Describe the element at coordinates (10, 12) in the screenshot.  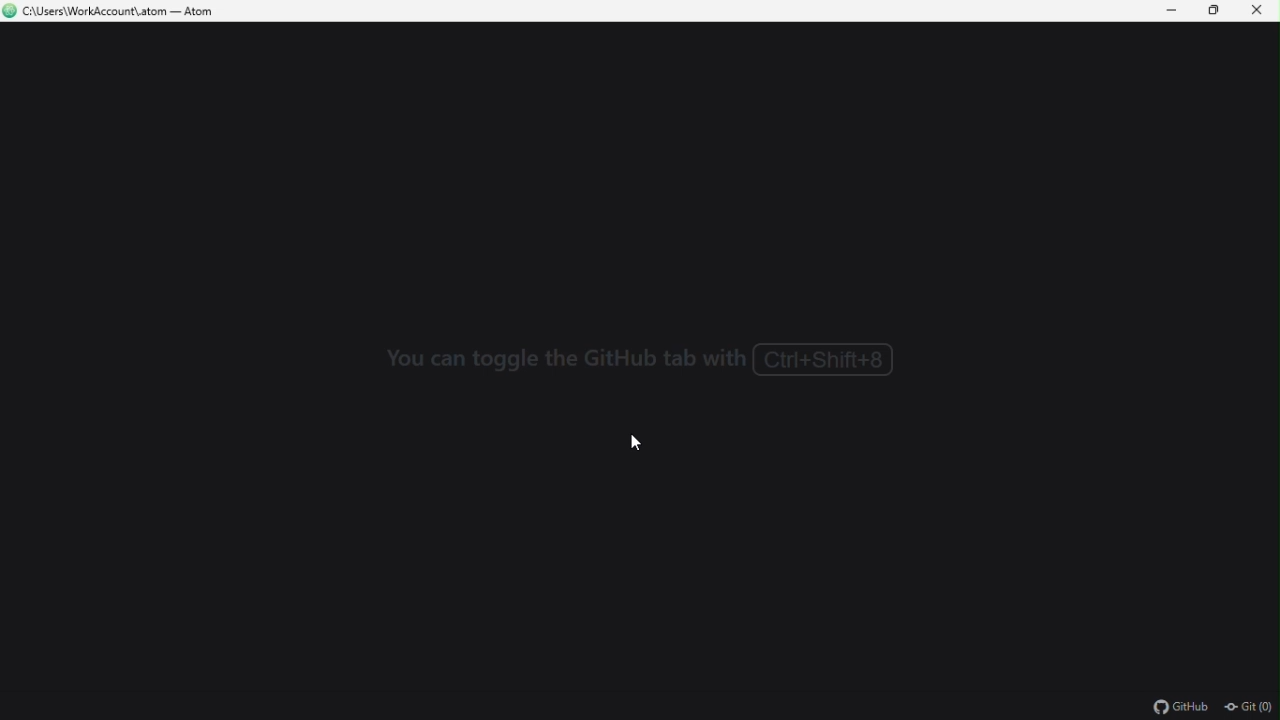
I see `atom logo` at that location.